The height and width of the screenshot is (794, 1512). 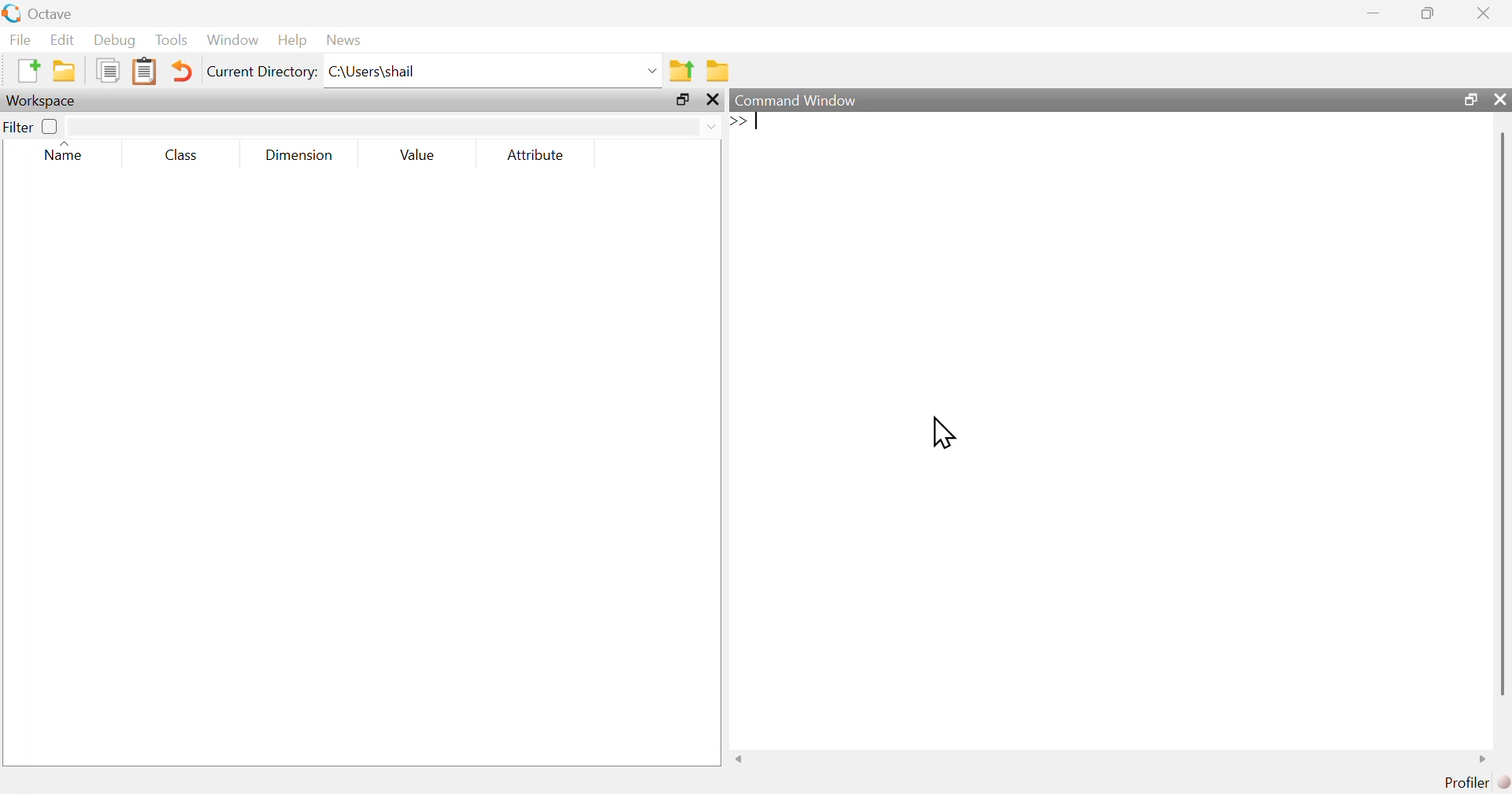 What do you see at coordinates (747, 121) in the screenshot?
I see `typing cursor` at bounding box center [747, 121].